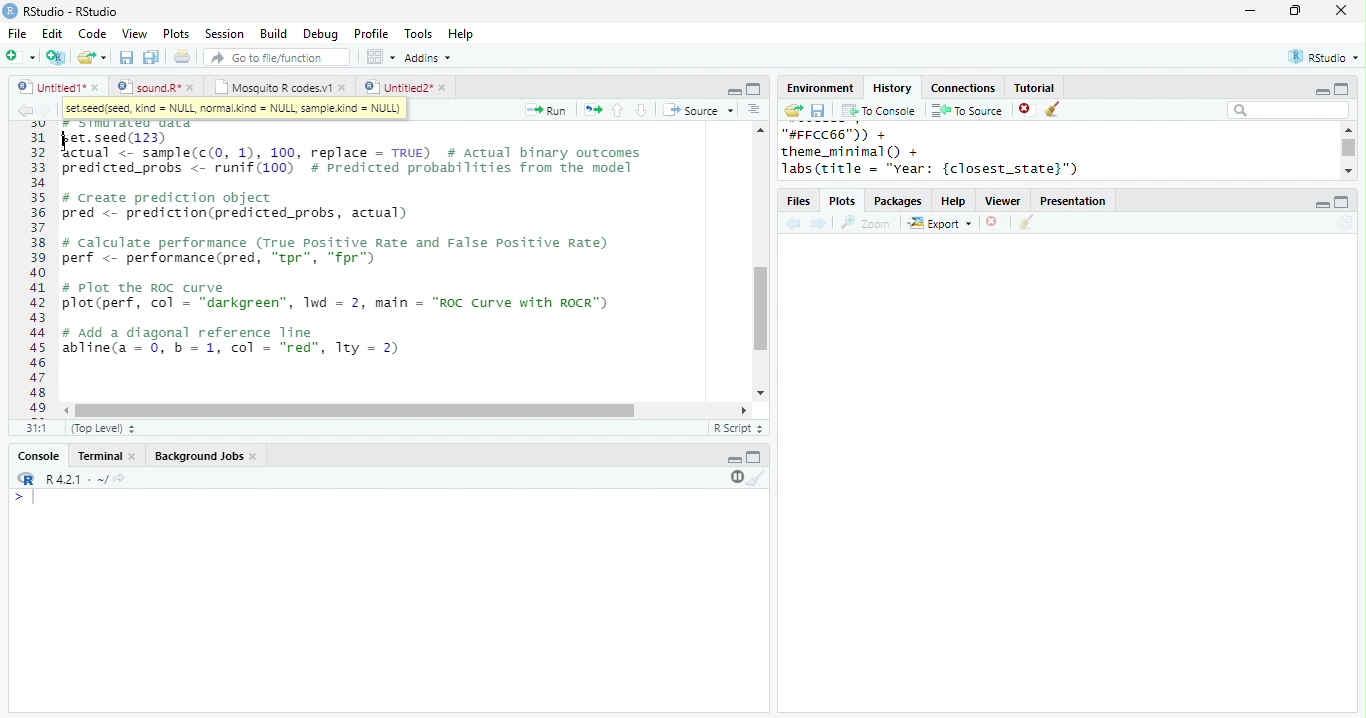  Describe the element at coordinates (134, 457) in the screenshot. I see `close` at that location.